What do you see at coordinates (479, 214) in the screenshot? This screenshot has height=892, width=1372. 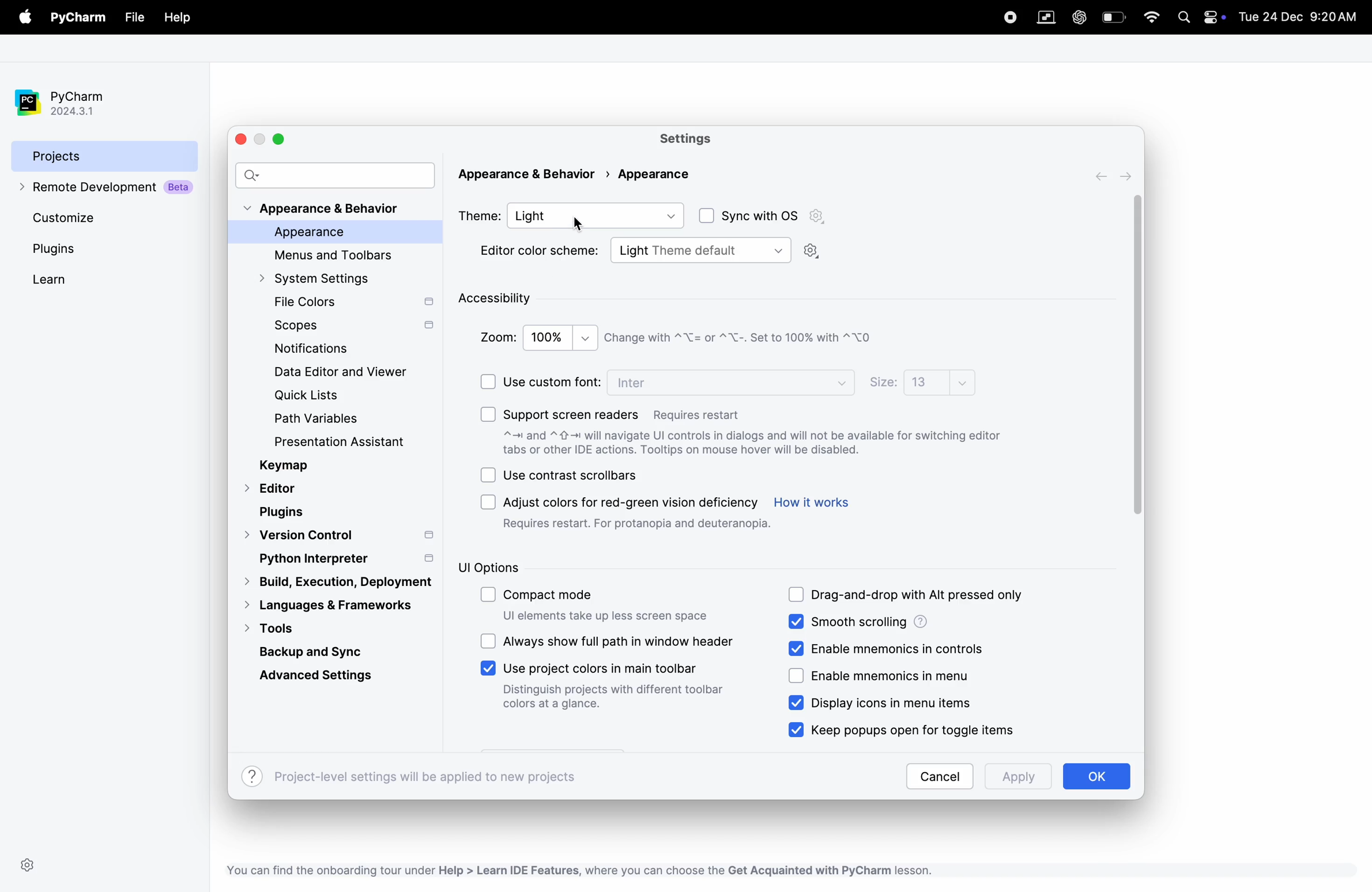 I see `theme` at bounding box center [479, 214].